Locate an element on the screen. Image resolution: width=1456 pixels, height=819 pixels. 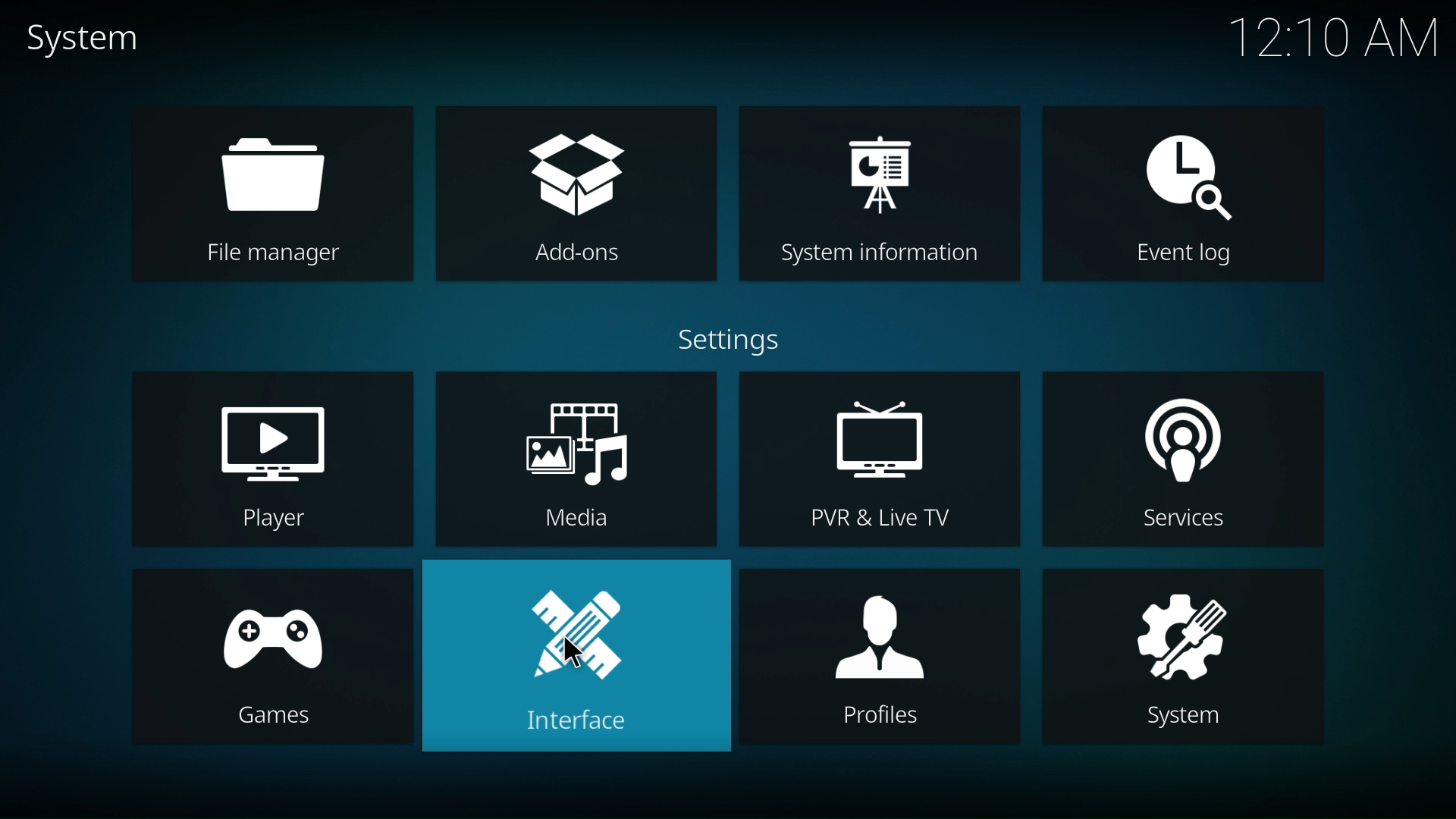
12:10 AM is located at coordinates (1337, 41).